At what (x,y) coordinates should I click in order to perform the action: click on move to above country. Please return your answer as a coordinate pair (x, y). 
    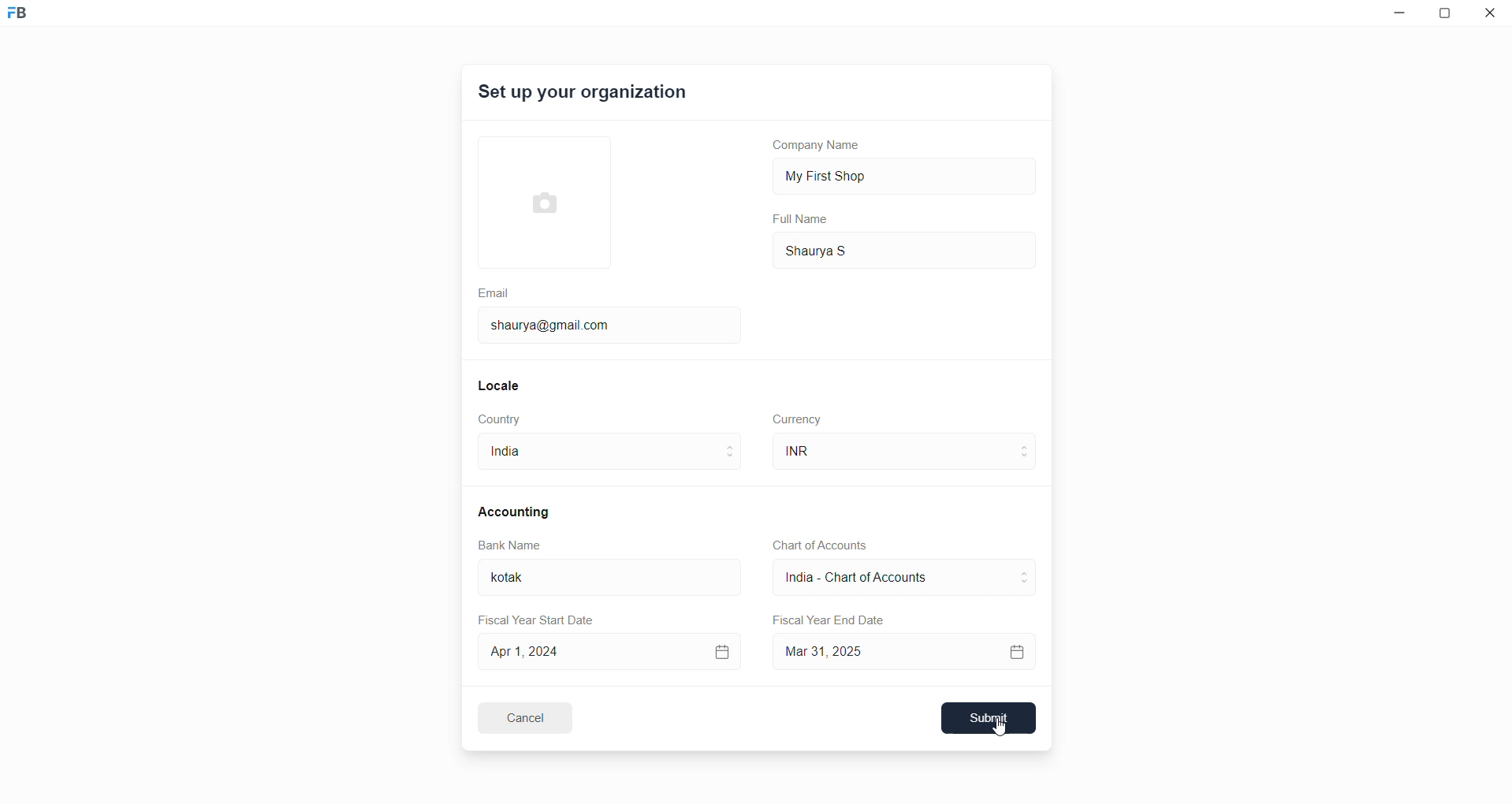
    Looking at the image, I should click on (733, 445).